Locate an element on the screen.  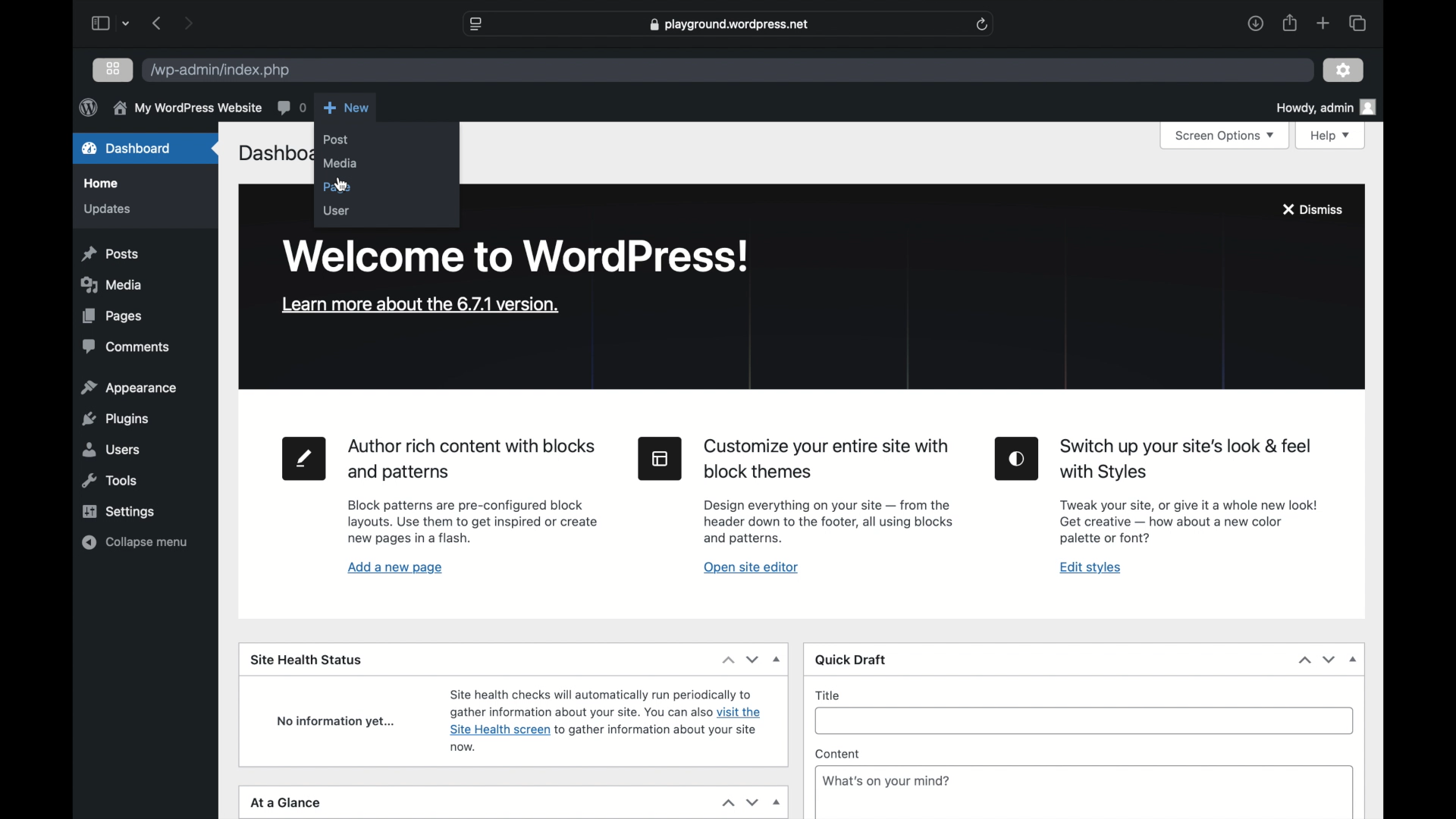
settings is located at coordinates (118, 511).